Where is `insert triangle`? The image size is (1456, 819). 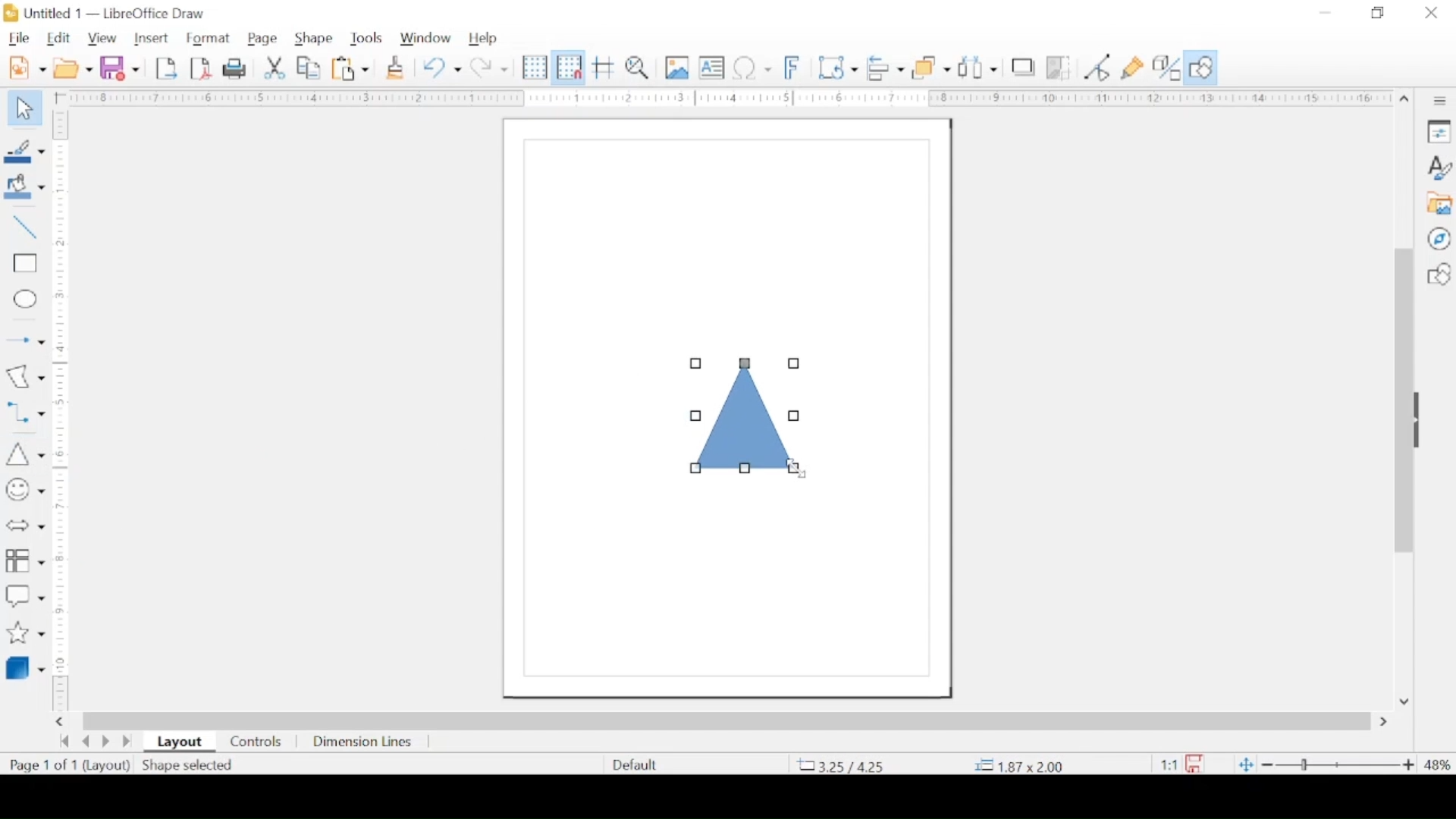
insert triangle is located at coordinates (22, 452).